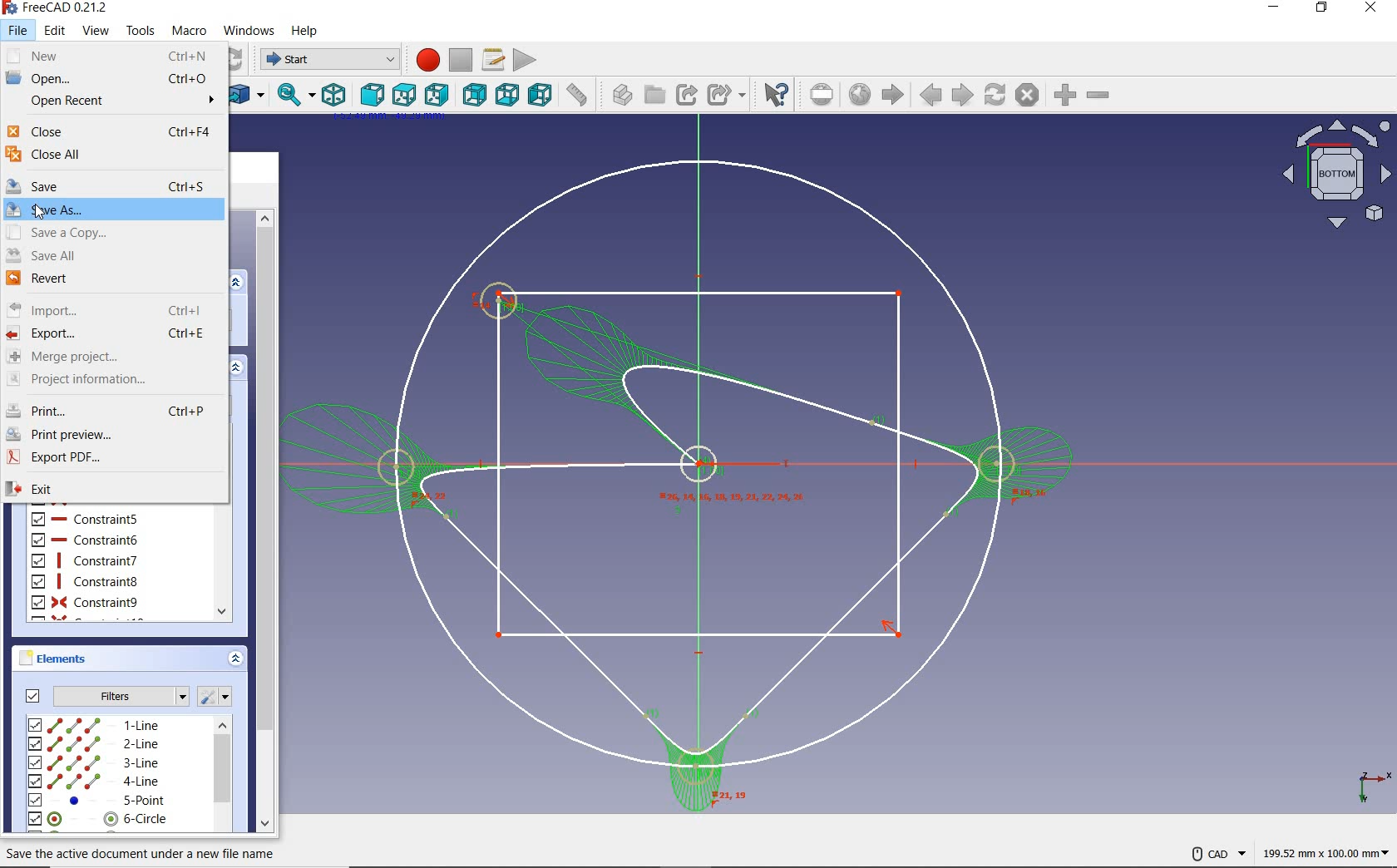  What do you see at coordinates (234, 660) in the screenshot?
I see `expand` at bounding box center [234, 660].